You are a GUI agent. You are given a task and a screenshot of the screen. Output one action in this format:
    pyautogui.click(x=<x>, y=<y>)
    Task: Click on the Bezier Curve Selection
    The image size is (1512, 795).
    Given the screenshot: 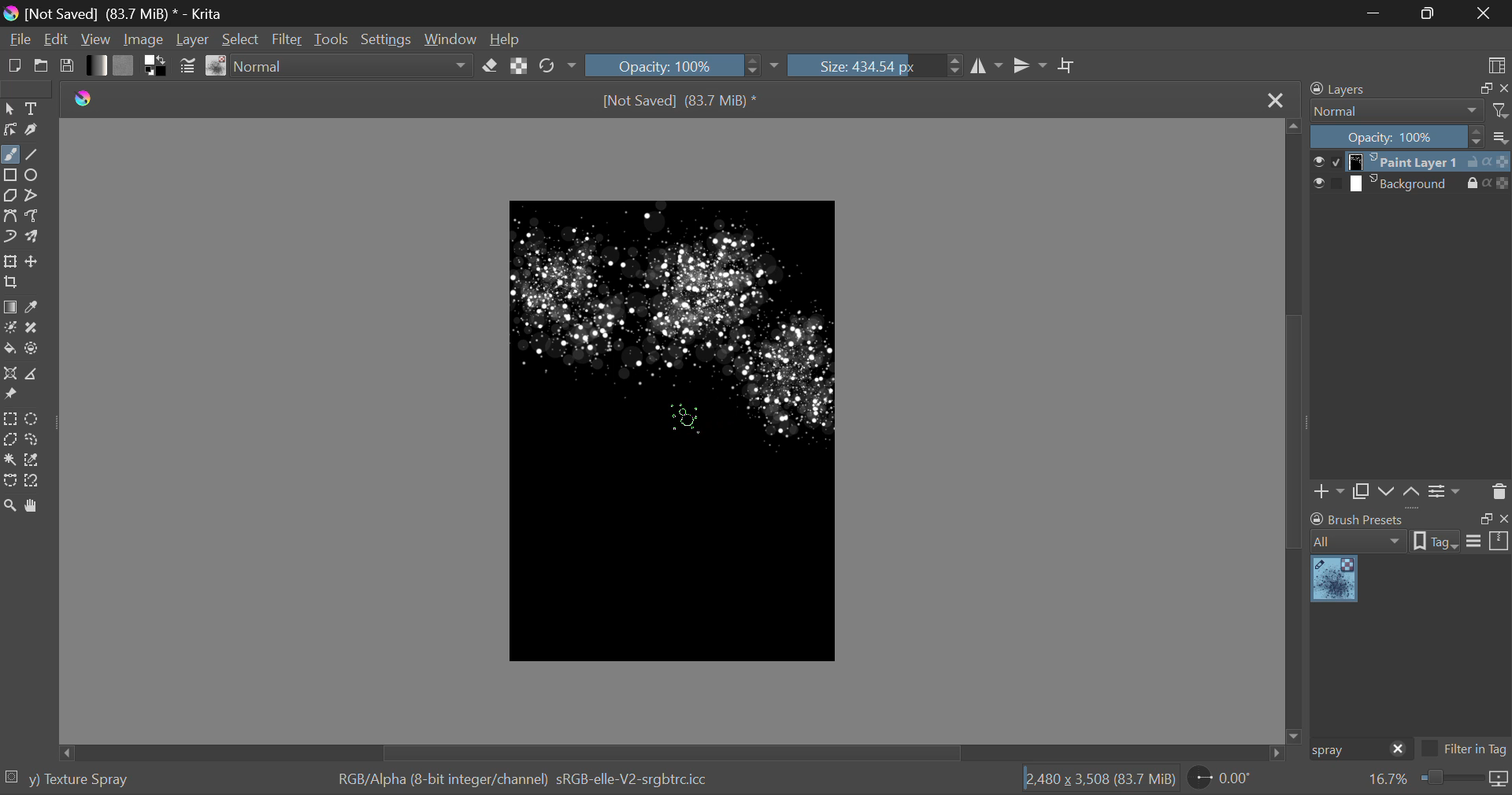 What is the action you would take?
    pyautogui.click(x=11, y=482)
    